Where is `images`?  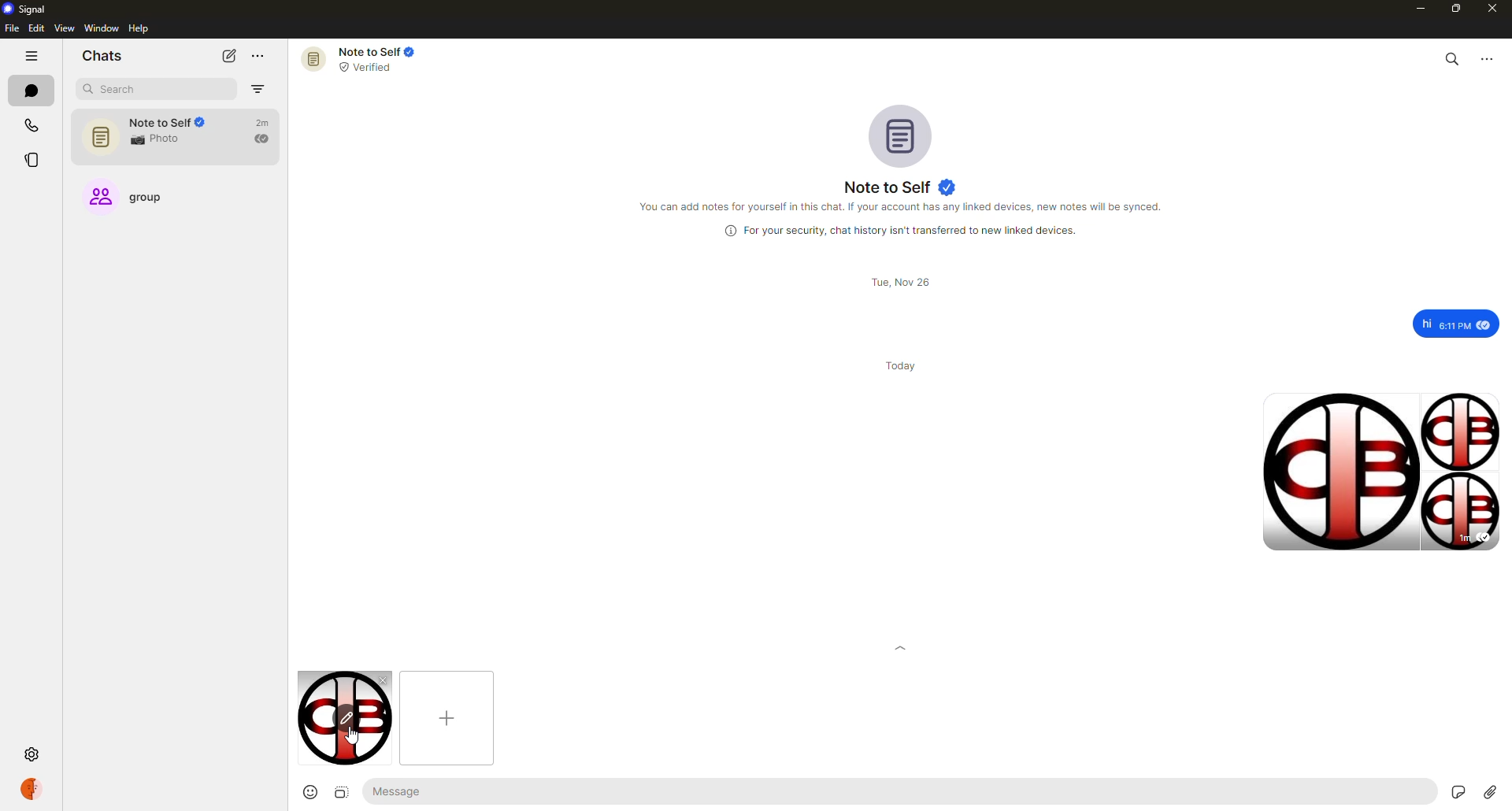
images is located at coordinates (1382, 470).